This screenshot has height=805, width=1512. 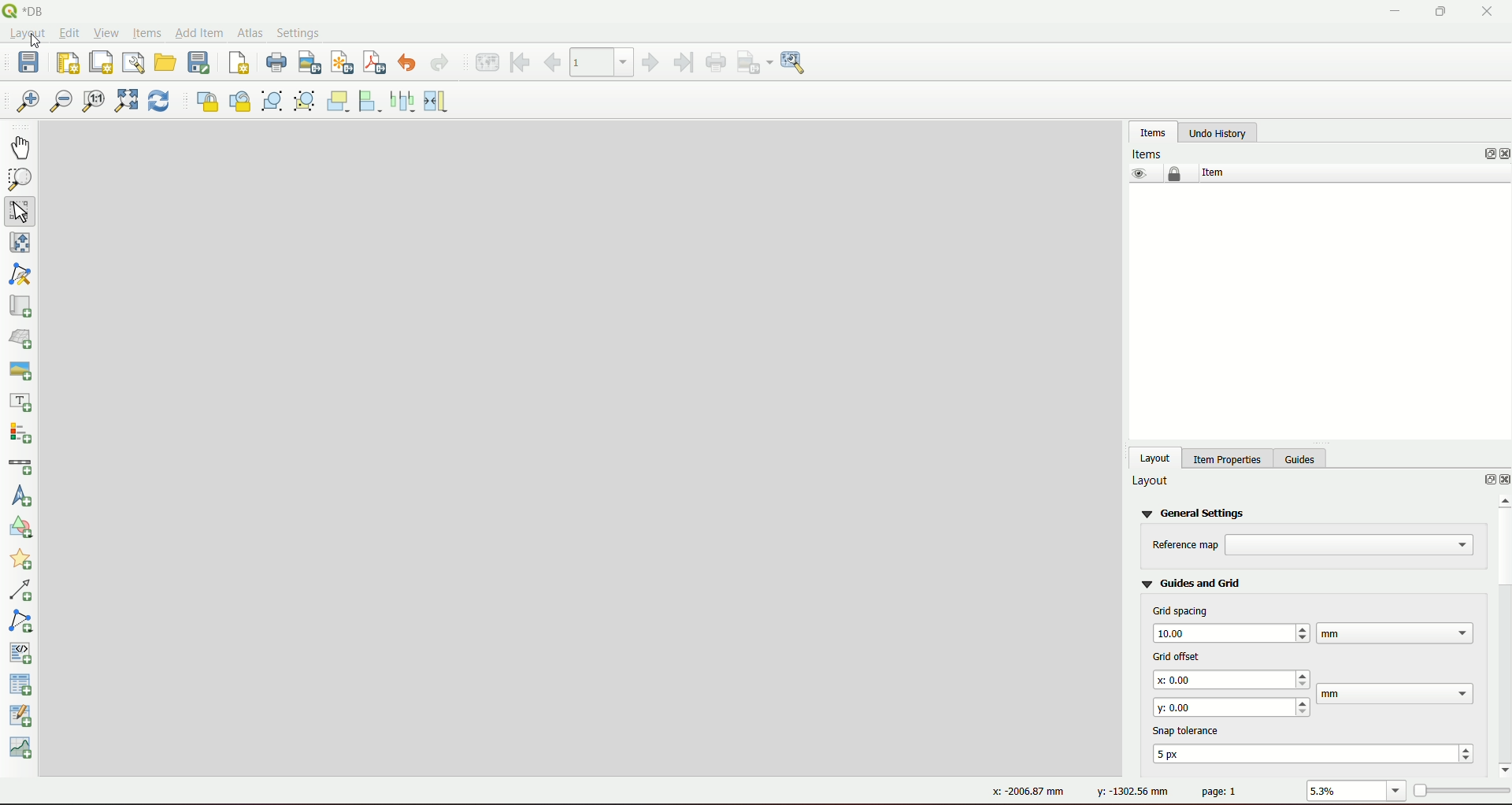 I want to click on Edit, so click(x=69, y=35).